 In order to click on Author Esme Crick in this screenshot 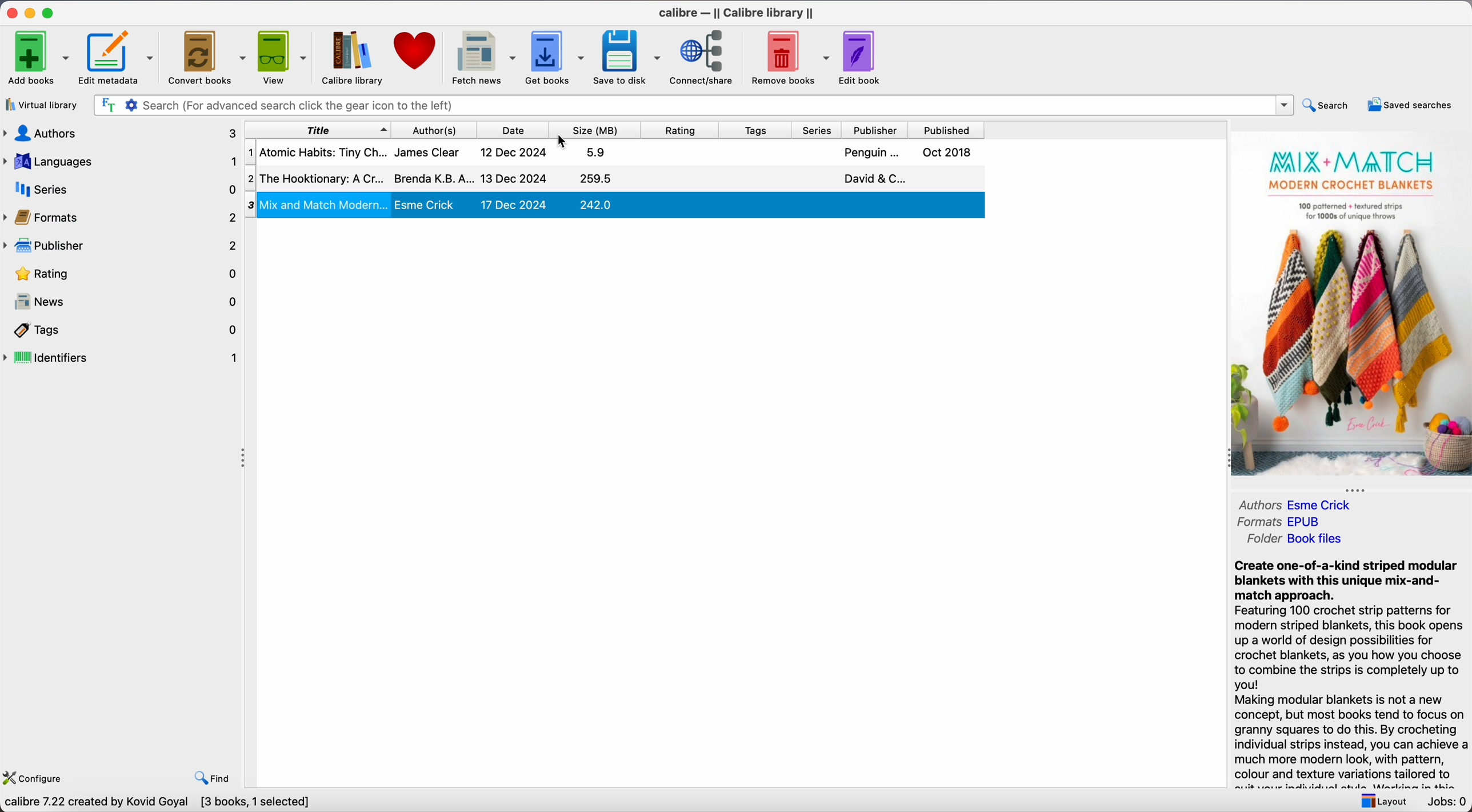, I will do `click(1323, 504)`.